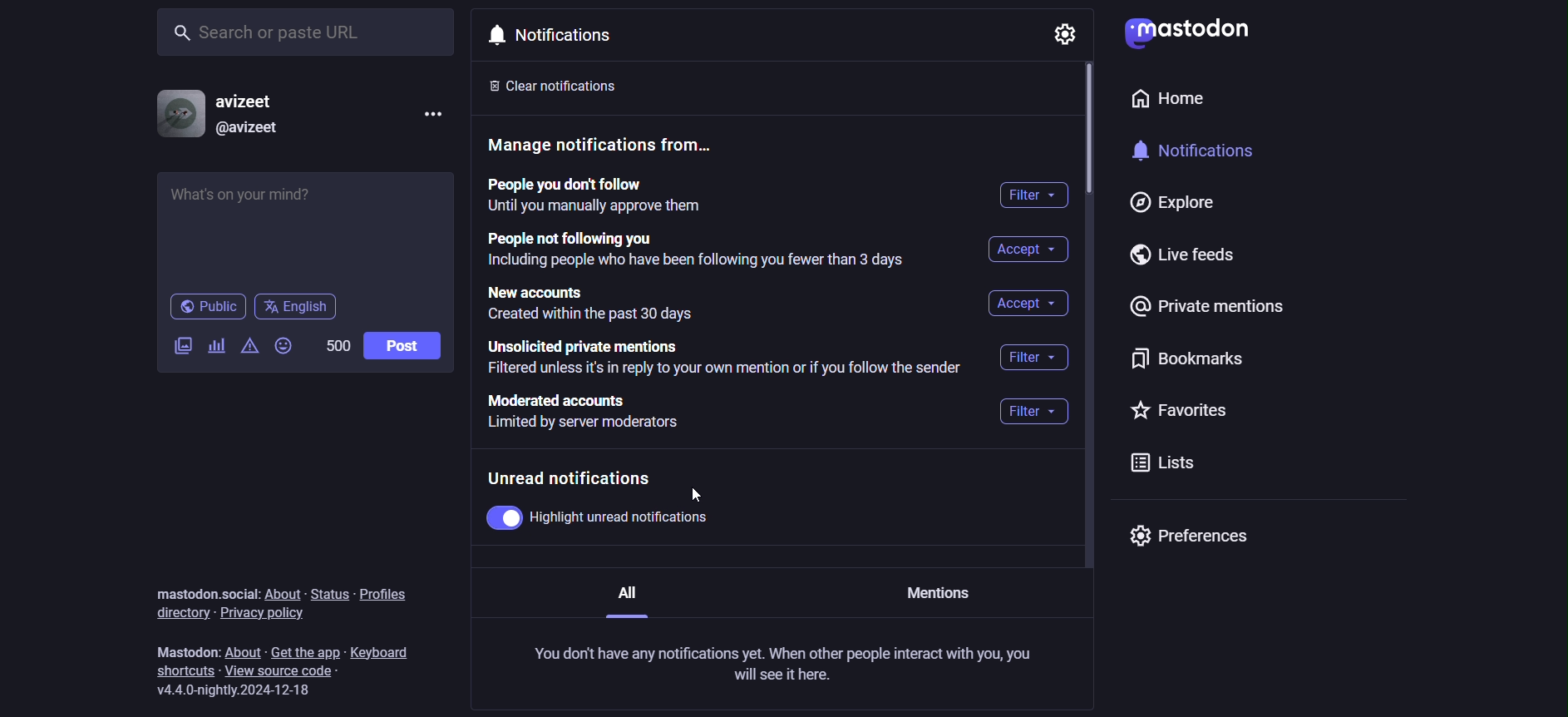 This screenshot has width=1568, height=717. What do you see at coordinates (939, 594) in the screenshot?
I see `Mentions` at bounding box center [939, 594].